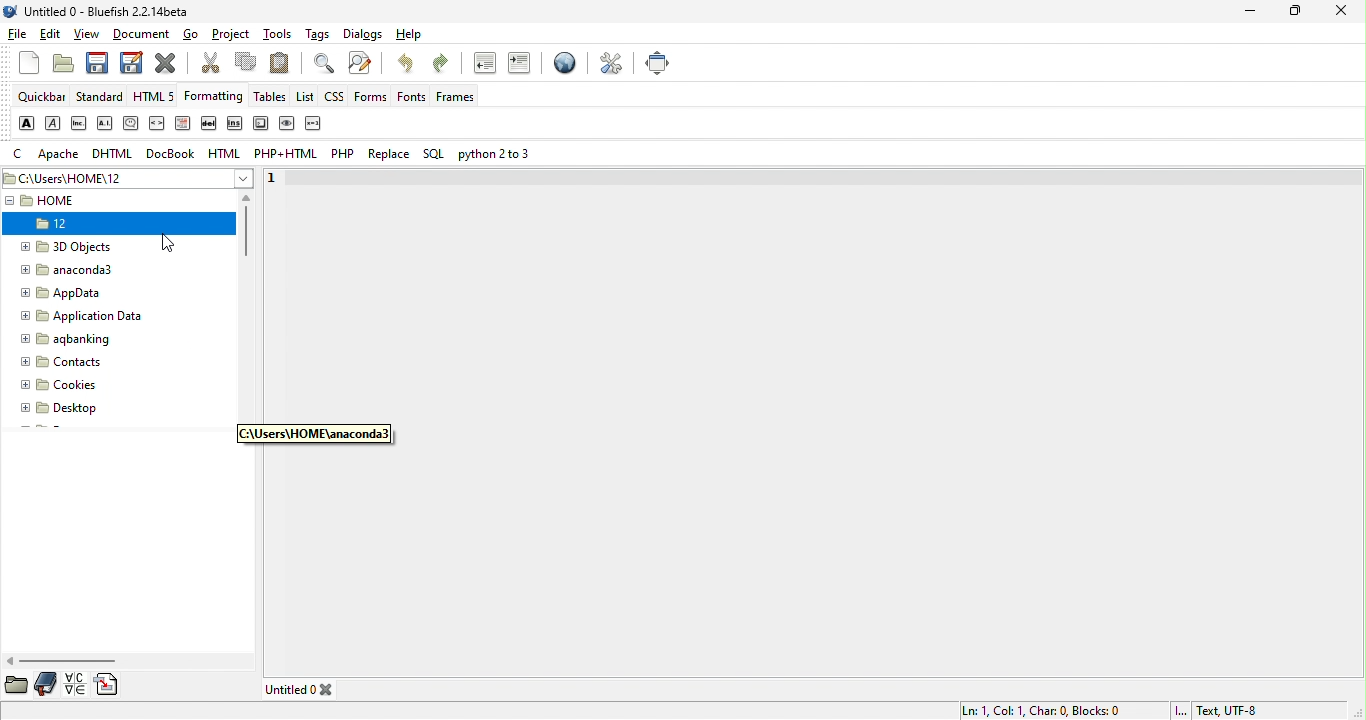 Image resolution: width=1366 pixels, height=720 pixels. Describe the element at coordinates (182, 125) in the screenshot. I see `definition` at that location.